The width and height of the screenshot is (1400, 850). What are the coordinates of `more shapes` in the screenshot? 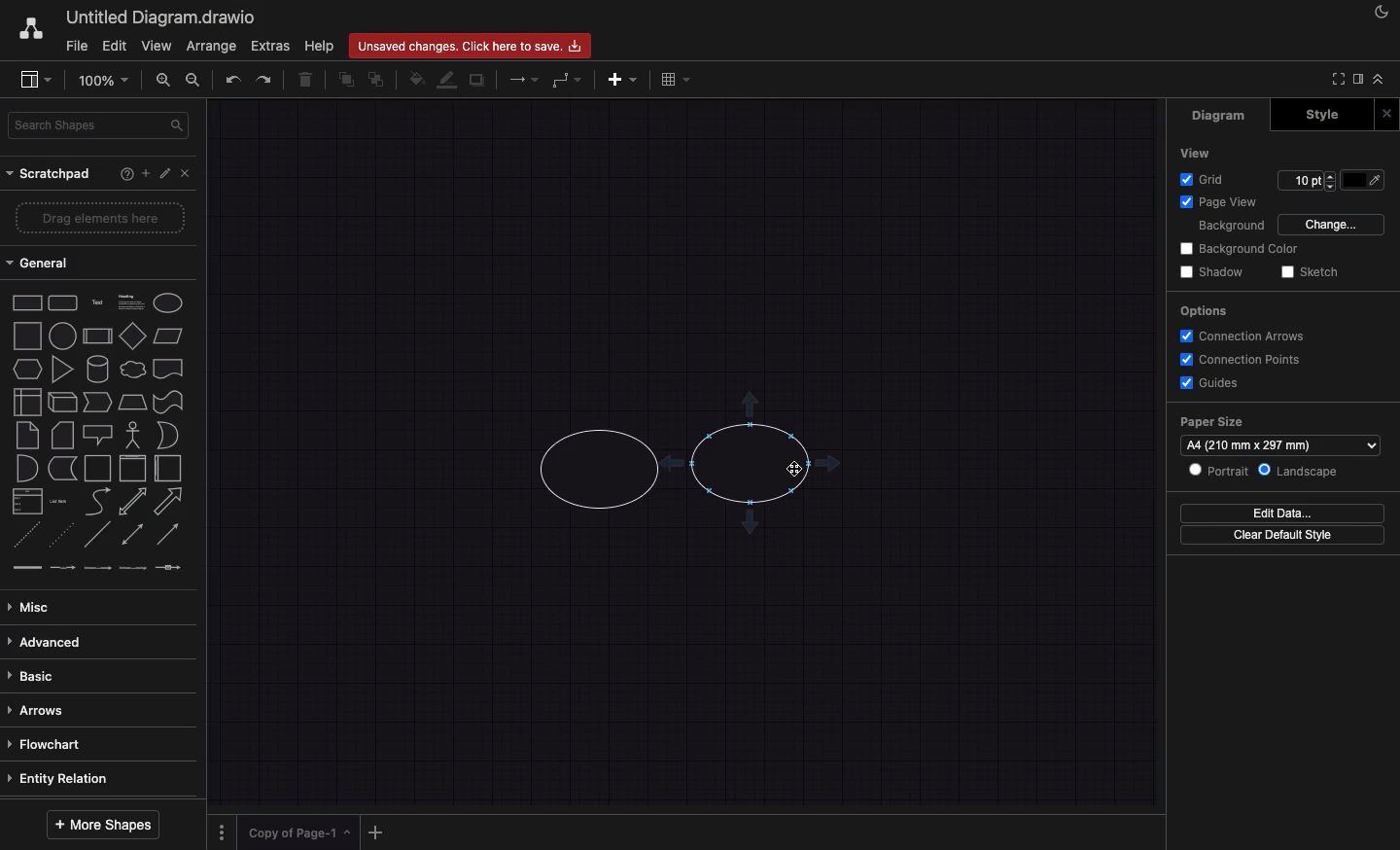 It's located at (103, 824).